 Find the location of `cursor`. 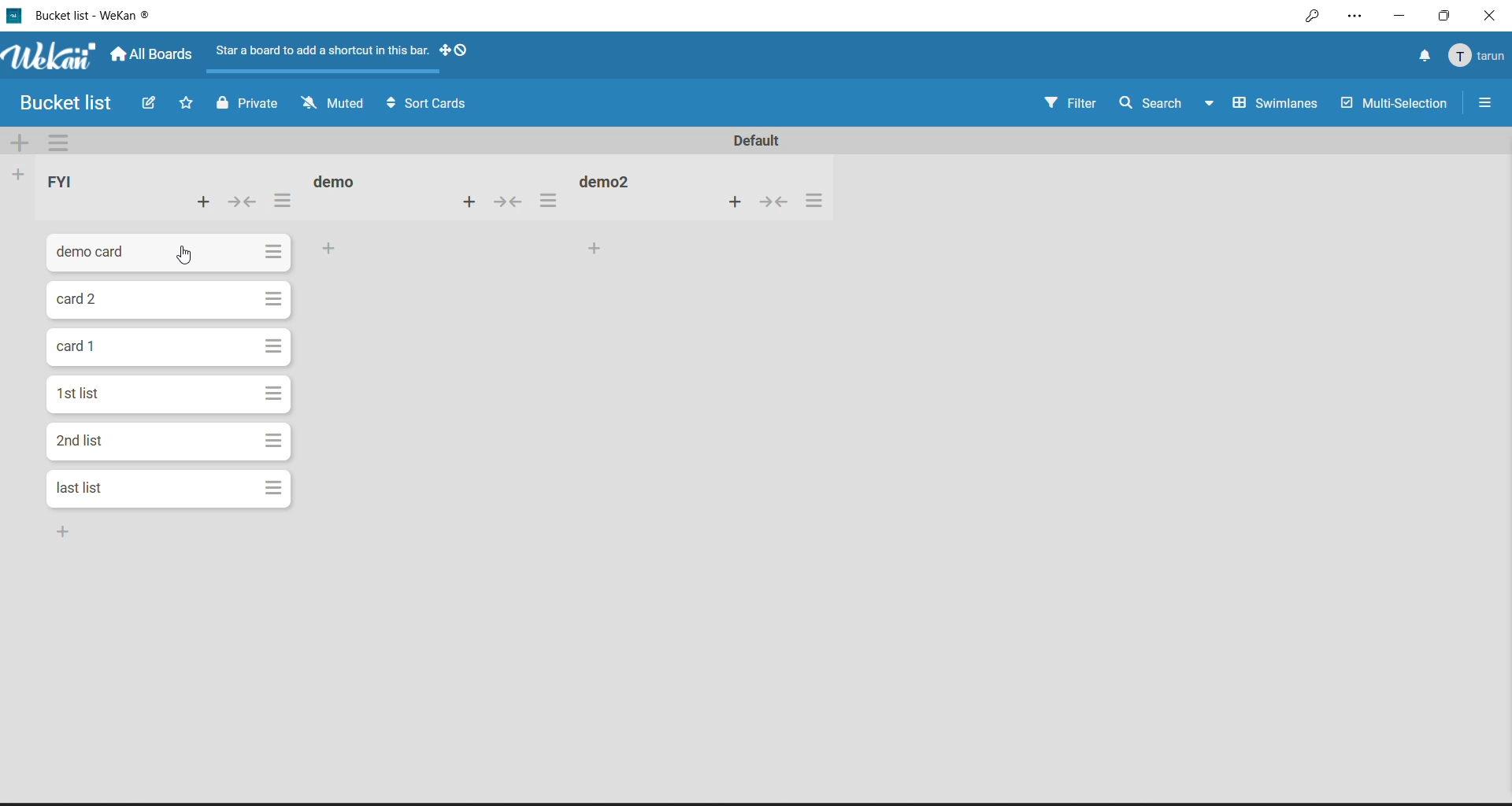

cursor is located at coordinates (187, 254).